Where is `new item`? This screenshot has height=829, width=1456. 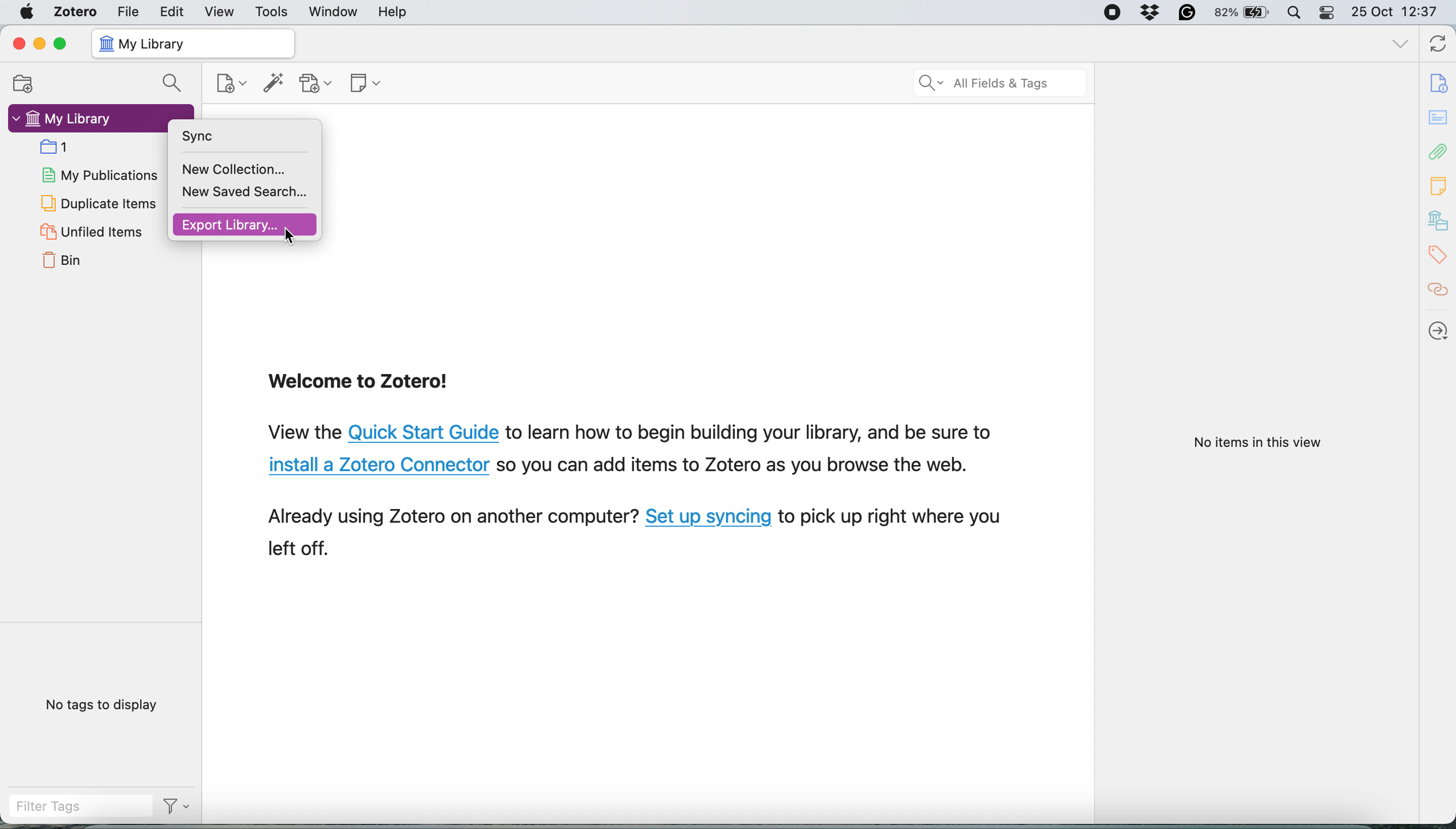
new item is located at coordinates (231, 84).